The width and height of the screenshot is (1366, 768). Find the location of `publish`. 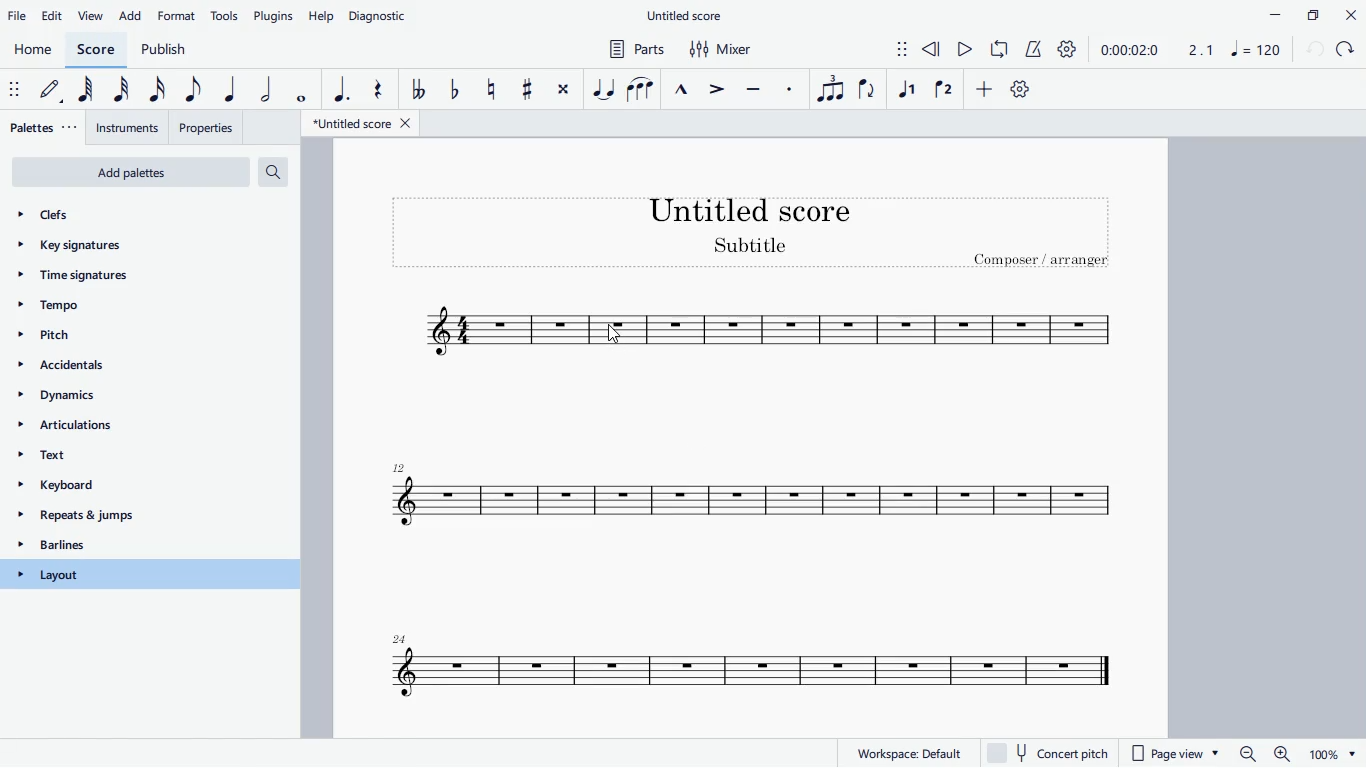

publish is located at coordinates (163, 48).